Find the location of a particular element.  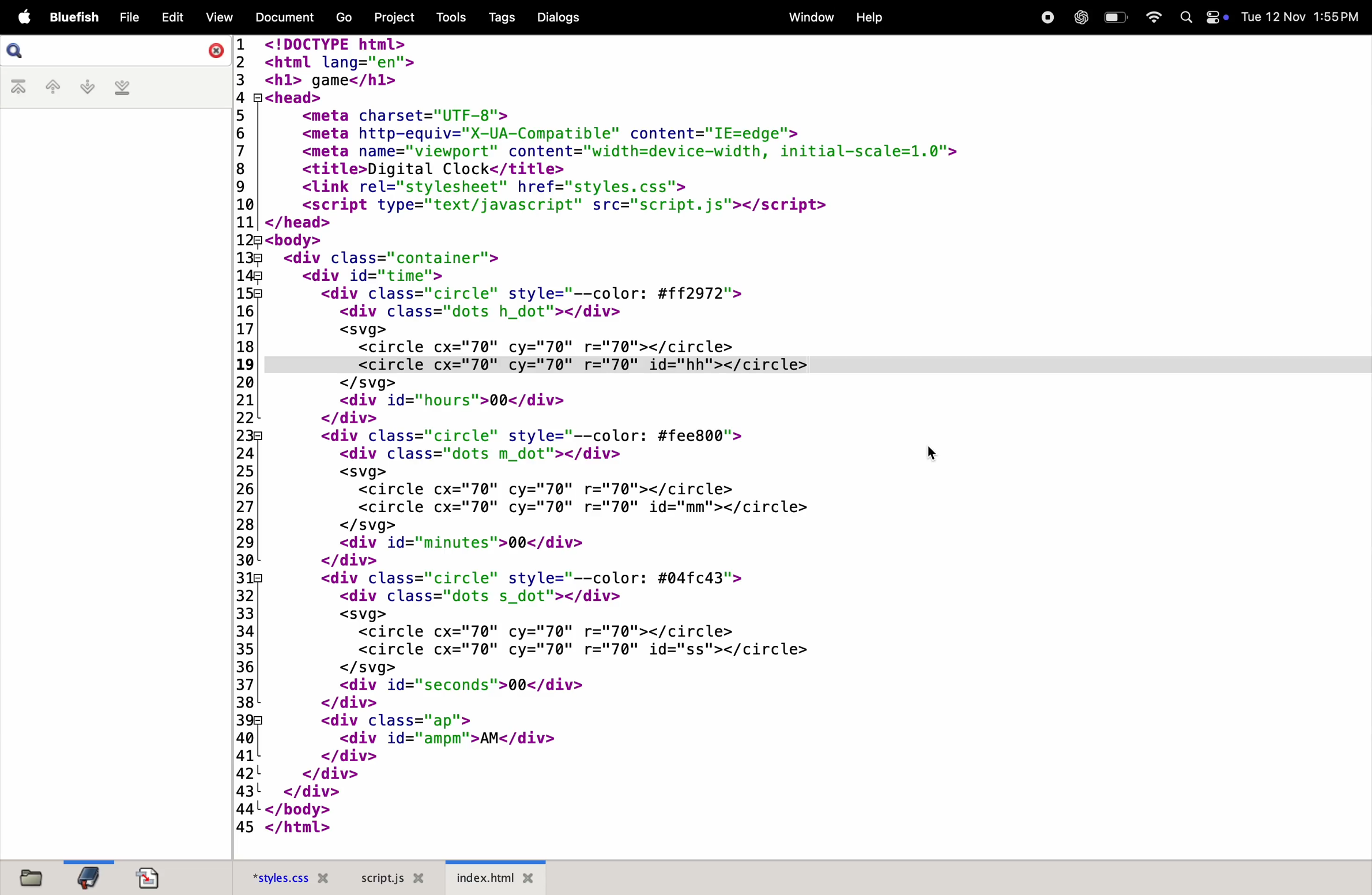

file is located at coordinates (127, 14).